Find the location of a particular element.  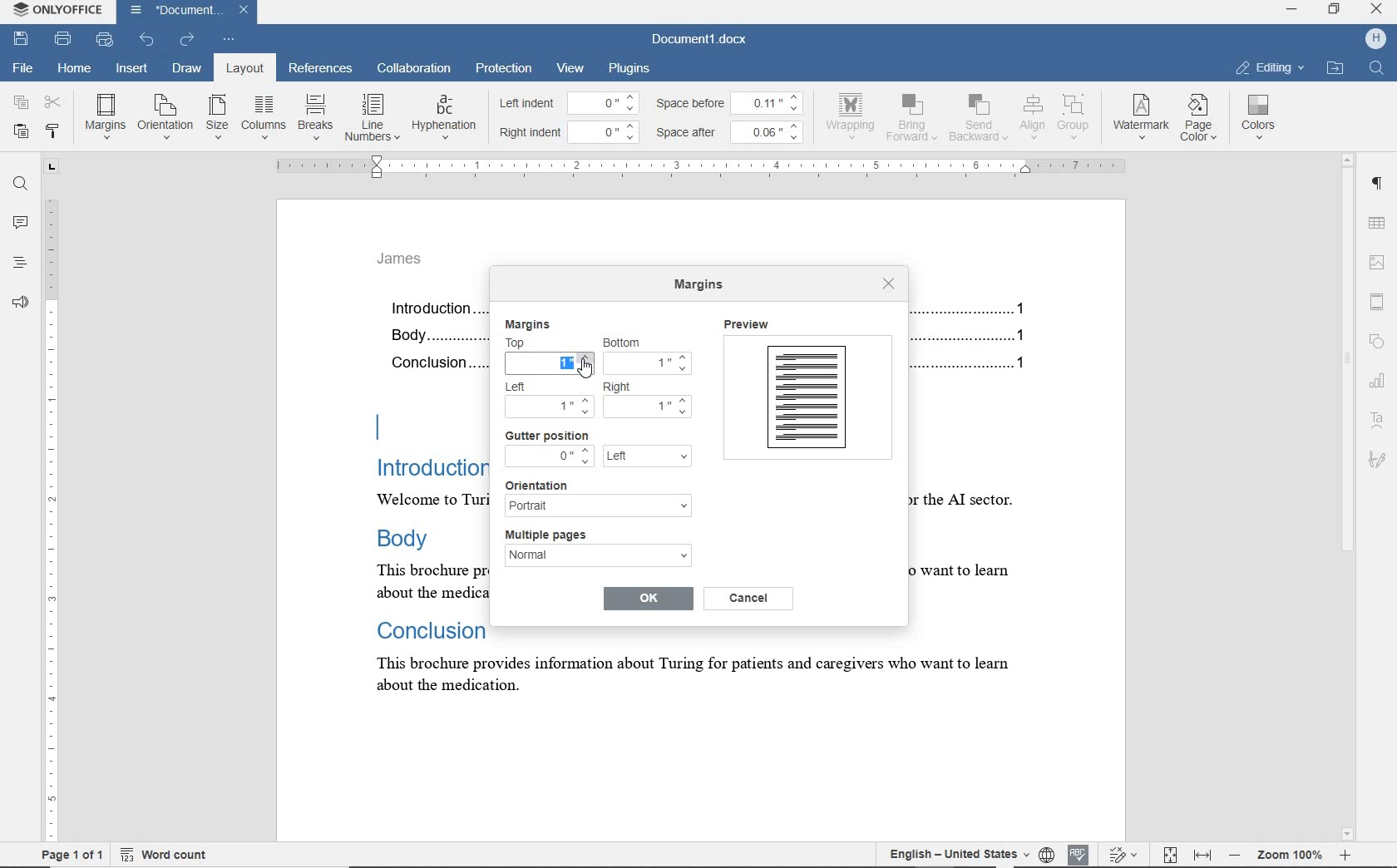

insert is located at coordinates (134, 69).